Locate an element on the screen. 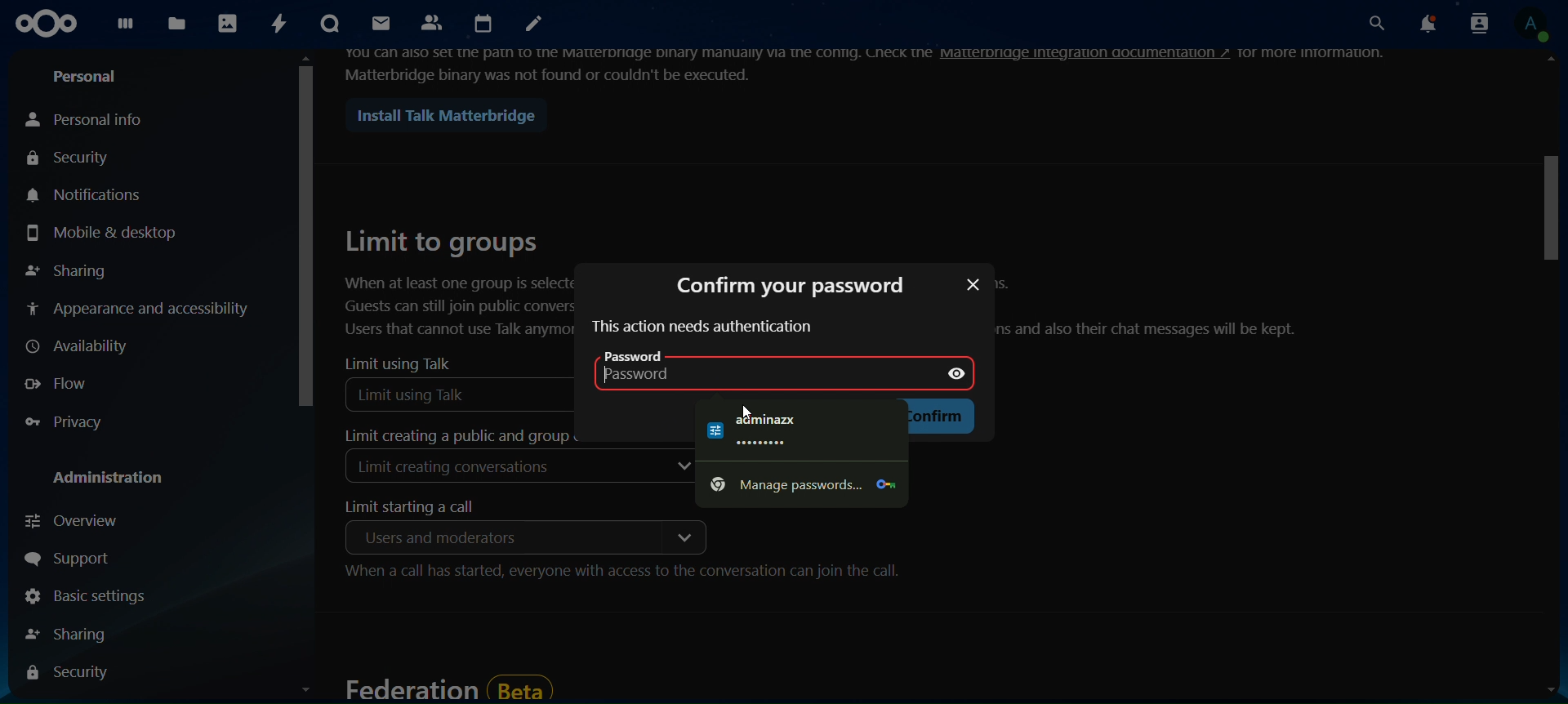  notes is located at coordinates (536, 25).